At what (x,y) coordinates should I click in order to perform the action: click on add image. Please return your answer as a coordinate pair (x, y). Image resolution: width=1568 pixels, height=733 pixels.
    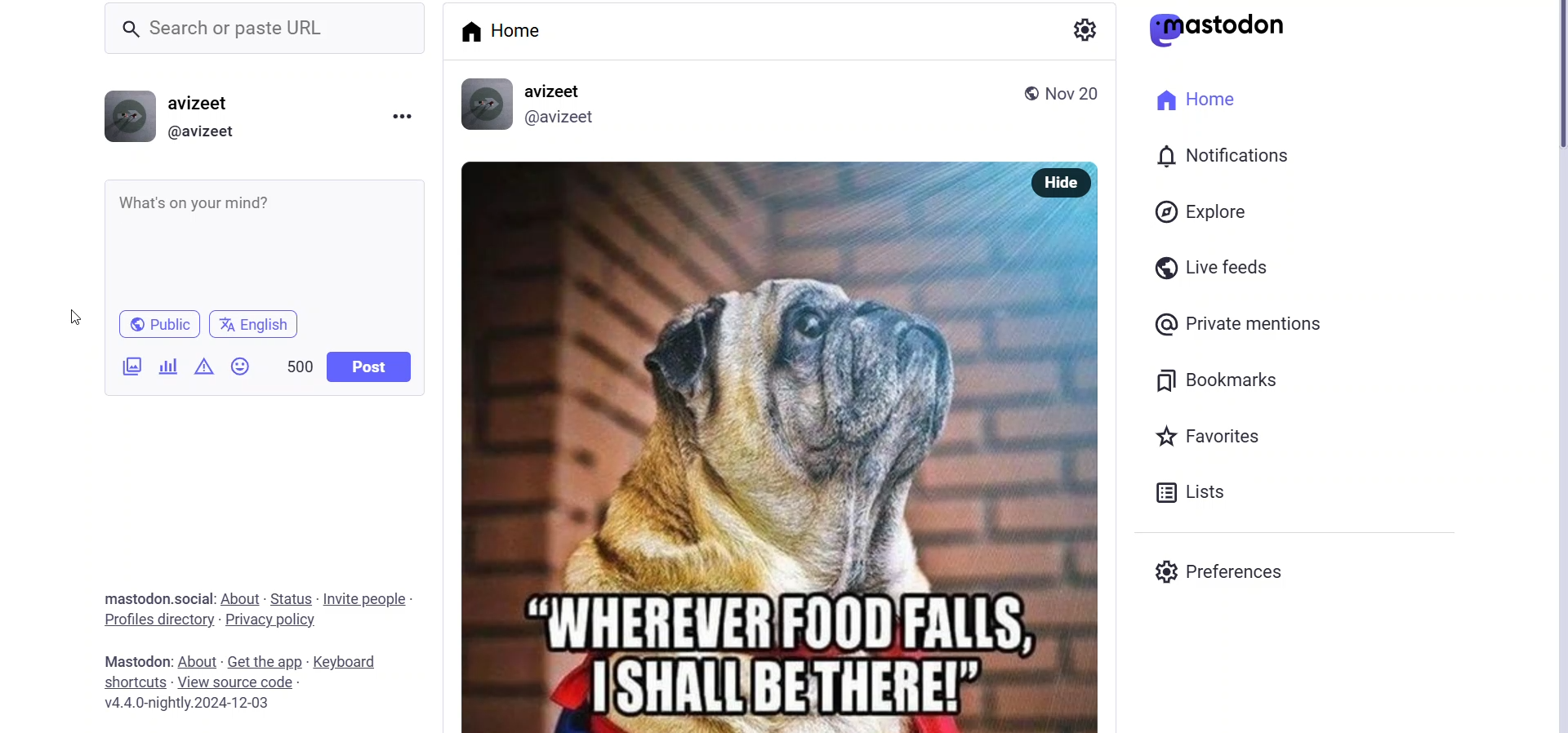
    Looking at the image, I should click on (130, 368).